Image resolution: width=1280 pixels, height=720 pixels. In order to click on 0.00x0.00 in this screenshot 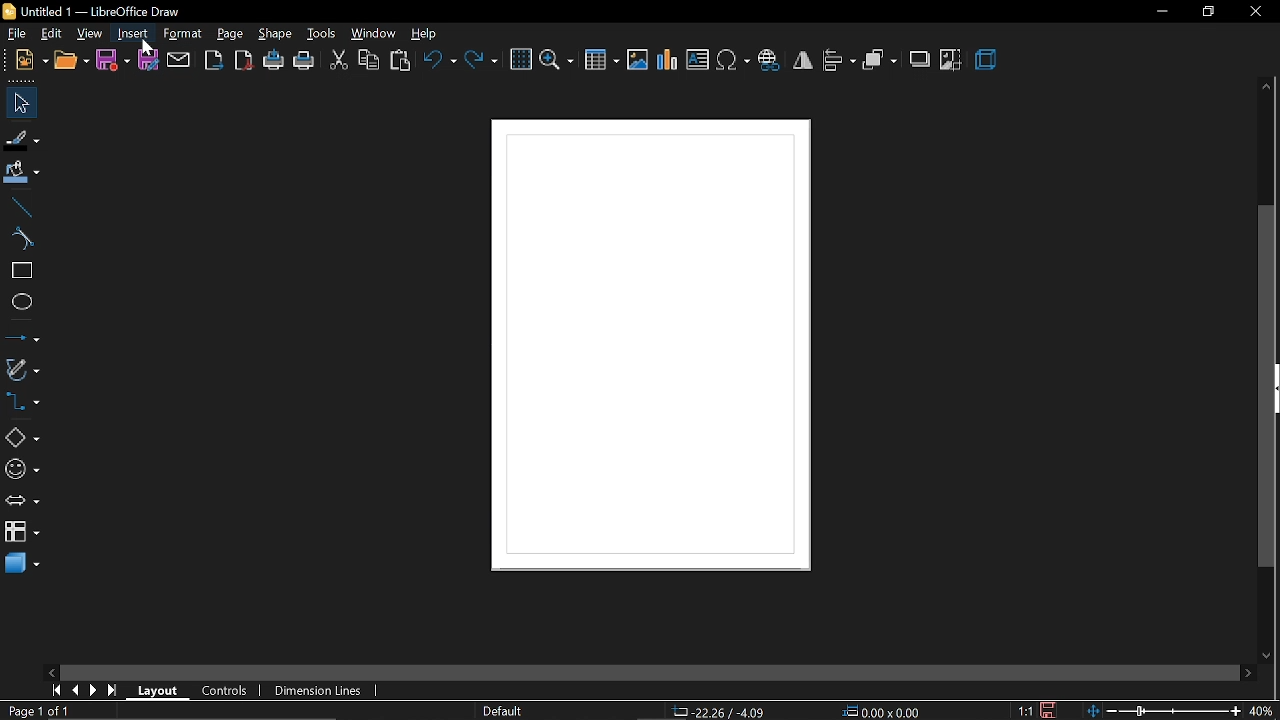, I will do `click(886, 712)`.